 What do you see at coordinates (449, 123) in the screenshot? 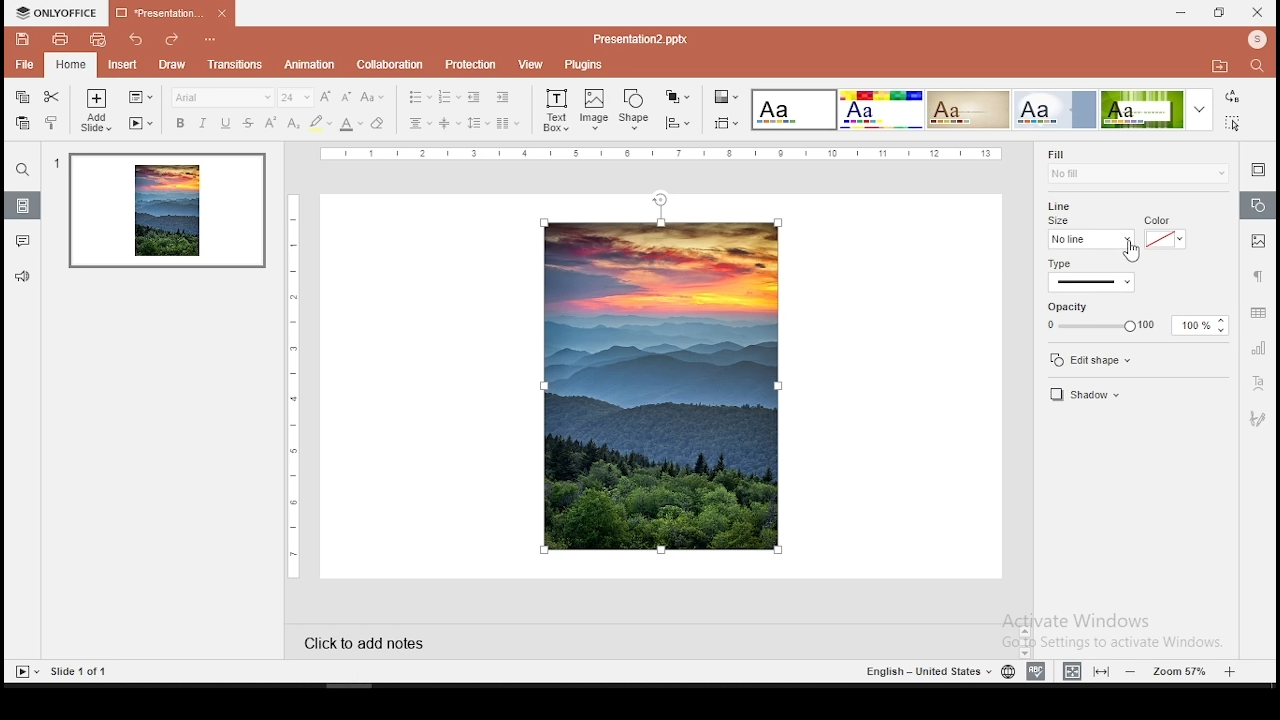
I see `vertical alignment` at bounding box center [449, 123].